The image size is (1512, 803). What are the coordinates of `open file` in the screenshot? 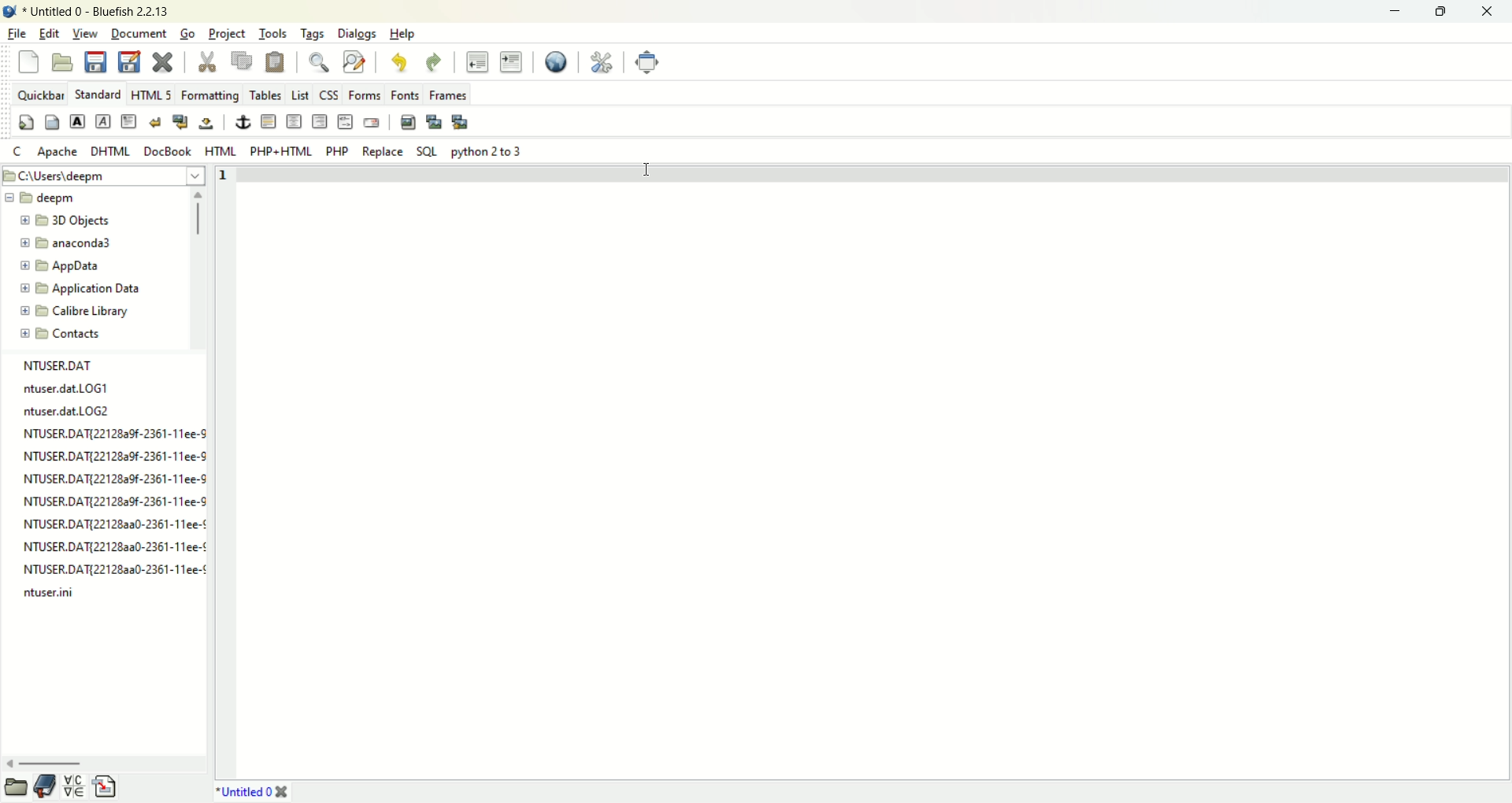 It's located at (61, 63).